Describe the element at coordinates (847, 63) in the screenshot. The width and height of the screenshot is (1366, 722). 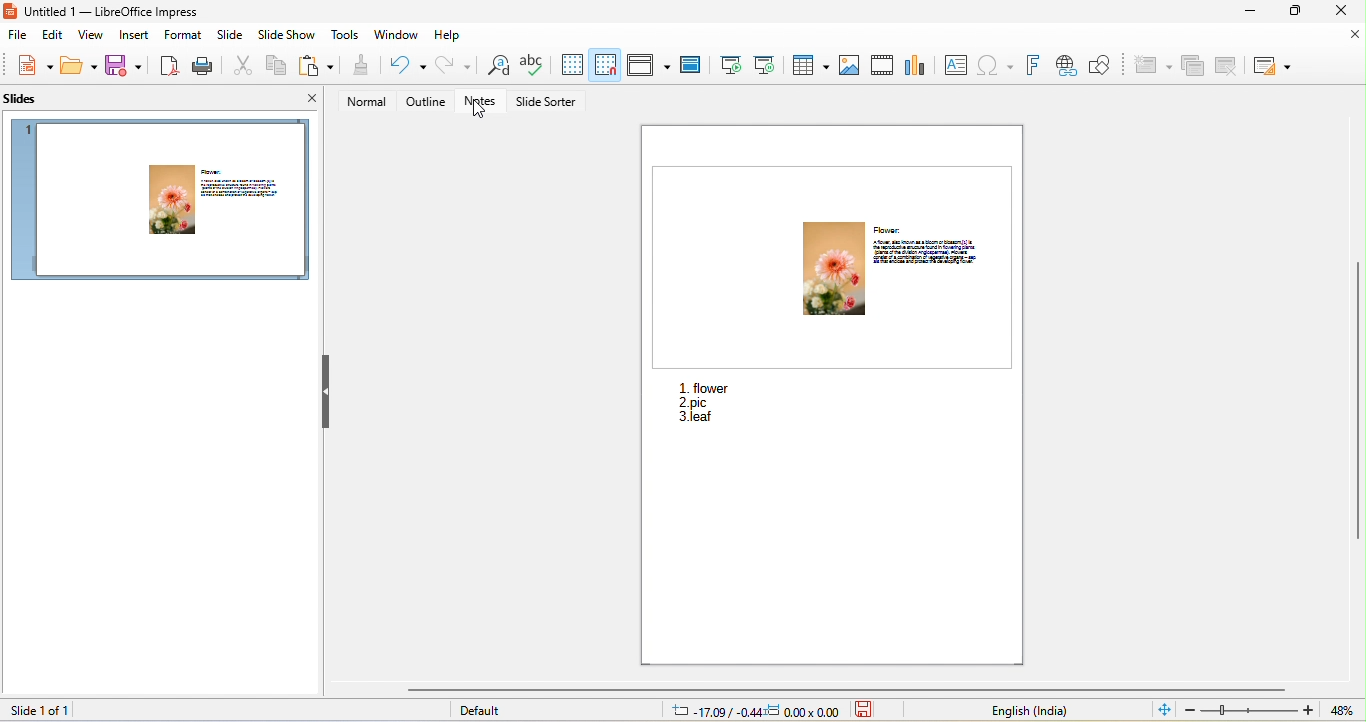
I see `image` at that location.